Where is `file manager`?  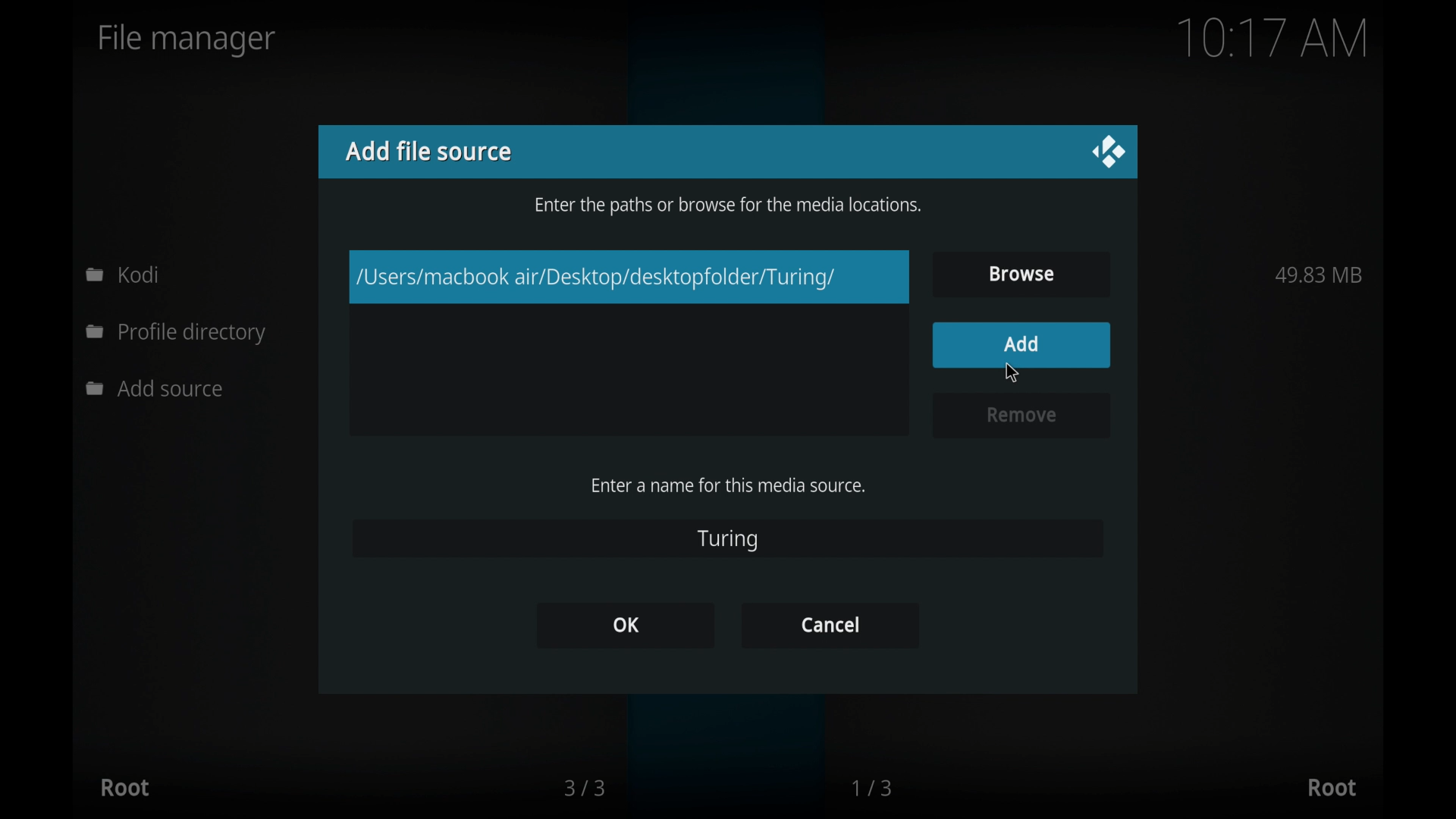 file manager is located at coordinates (187, 40).